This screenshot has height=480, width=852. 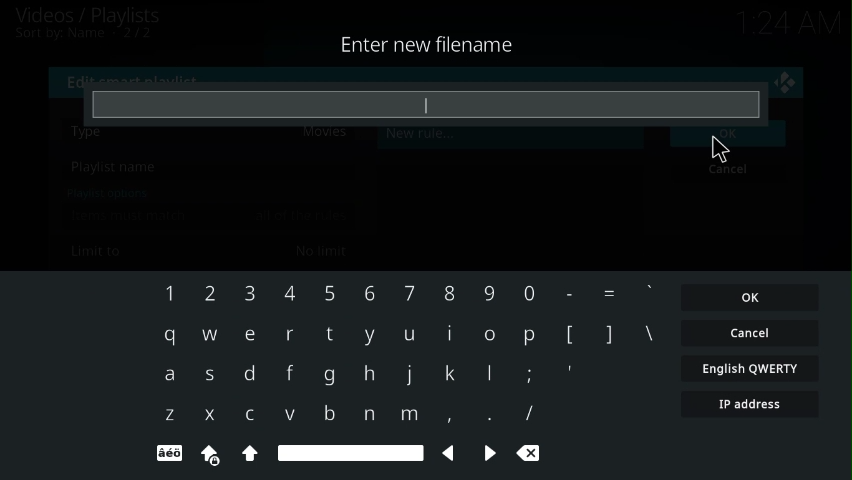 What do you see at coordinates (488, 296) in the screenshot?
I see `` at bounding box center [488, 296].